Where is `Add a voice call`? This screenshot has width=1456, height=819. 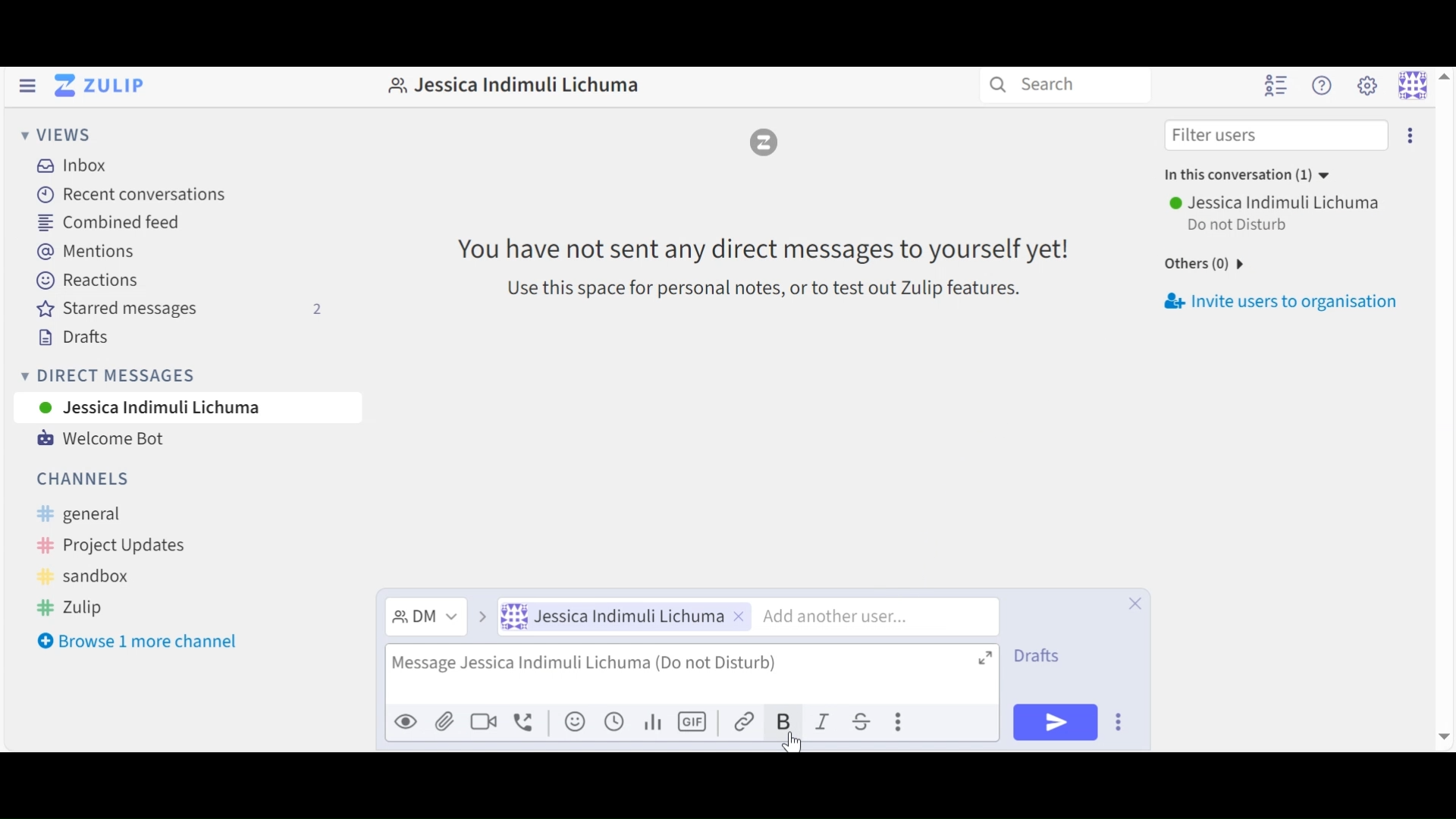 Add a voice call is located at coordinates (525, 720).